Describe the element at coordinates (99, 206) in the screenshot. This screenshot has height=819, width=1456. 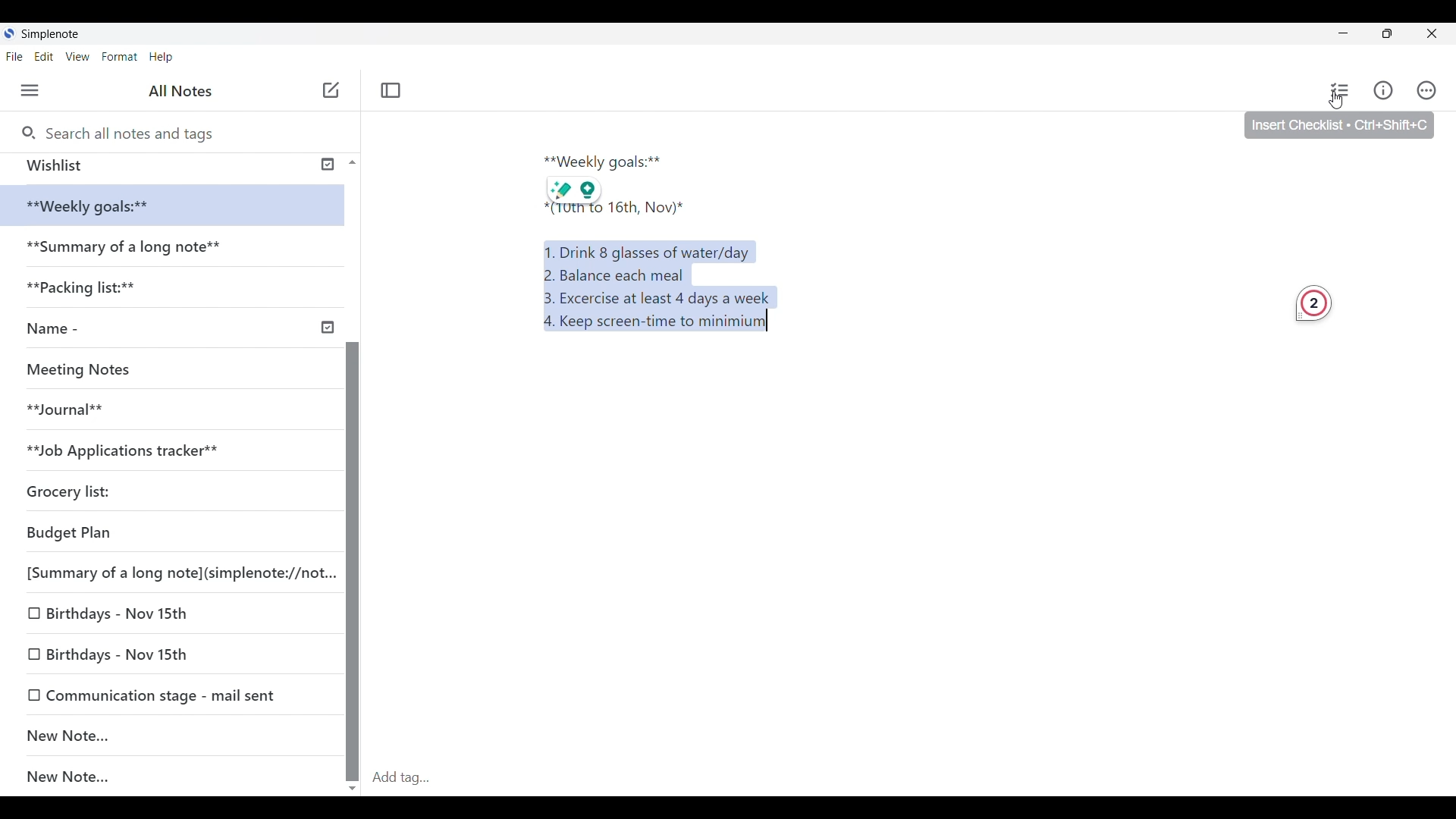
I see `**Weekly goals:**` at that location.